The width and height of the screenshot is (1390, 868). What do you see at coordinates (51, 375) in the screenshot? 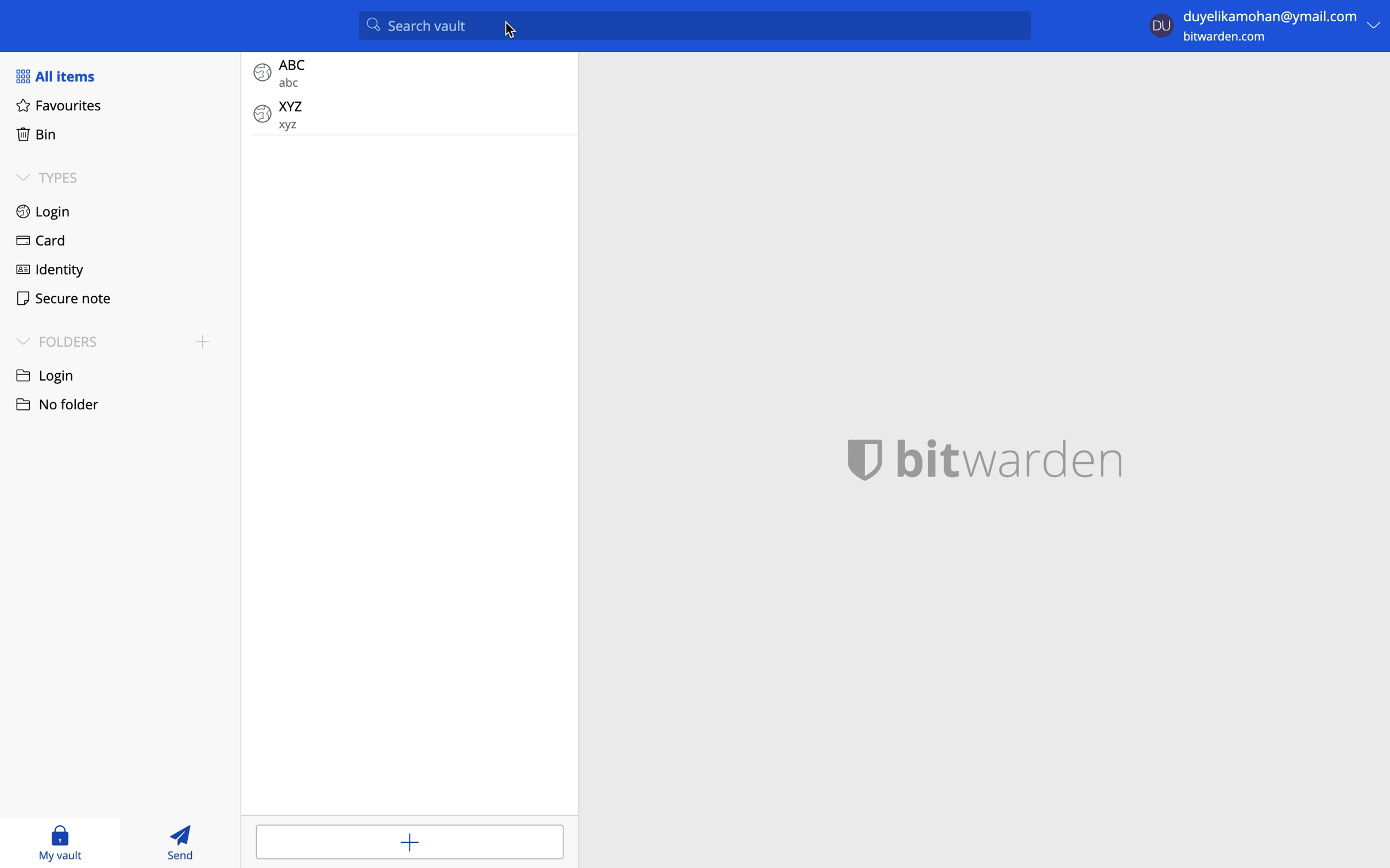
I see `login` at bounding box center [51, 375].